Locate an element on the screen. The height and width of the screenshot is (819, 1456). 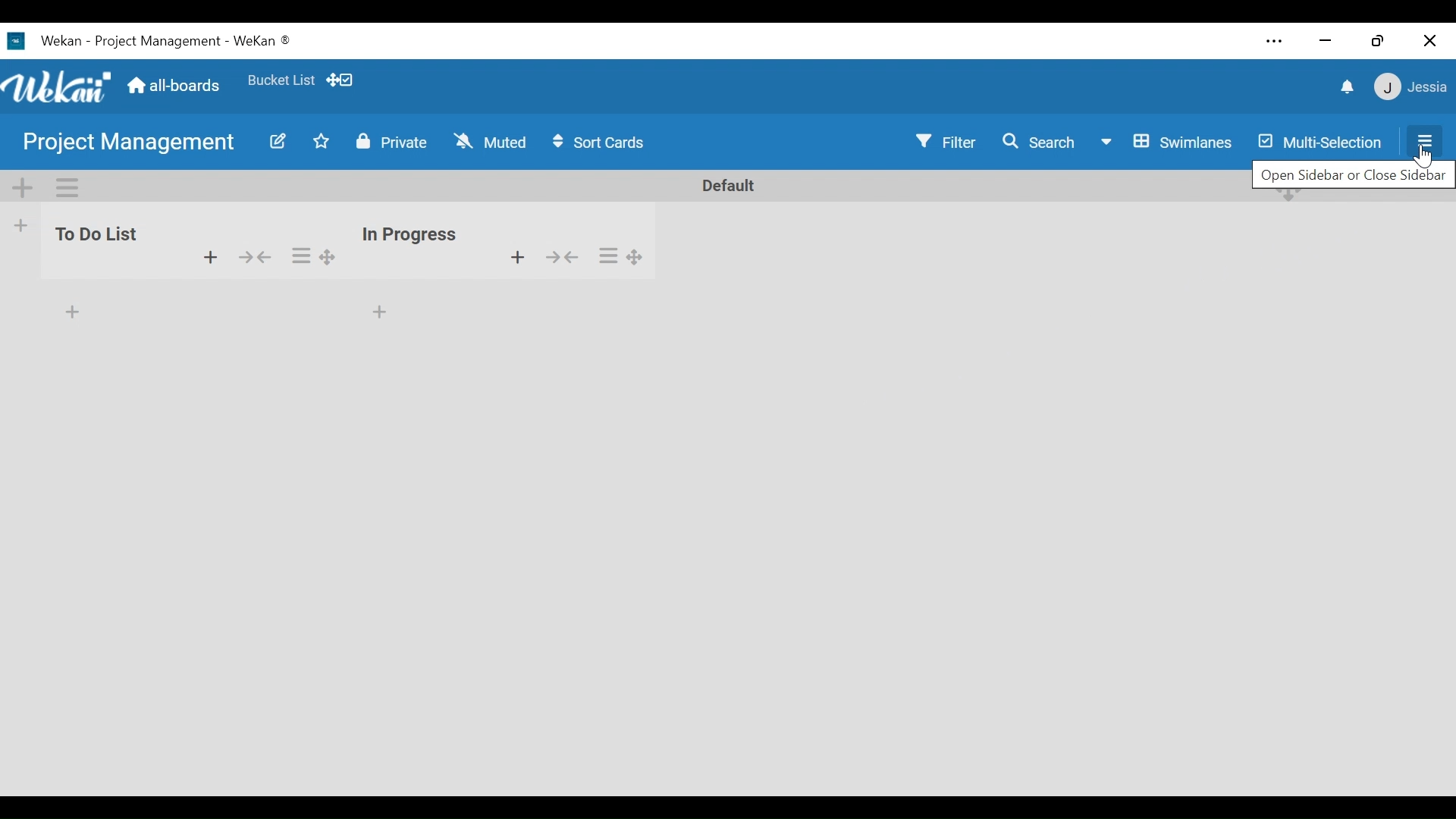
Desktop drag handles is located at coordinates (1290, 202).